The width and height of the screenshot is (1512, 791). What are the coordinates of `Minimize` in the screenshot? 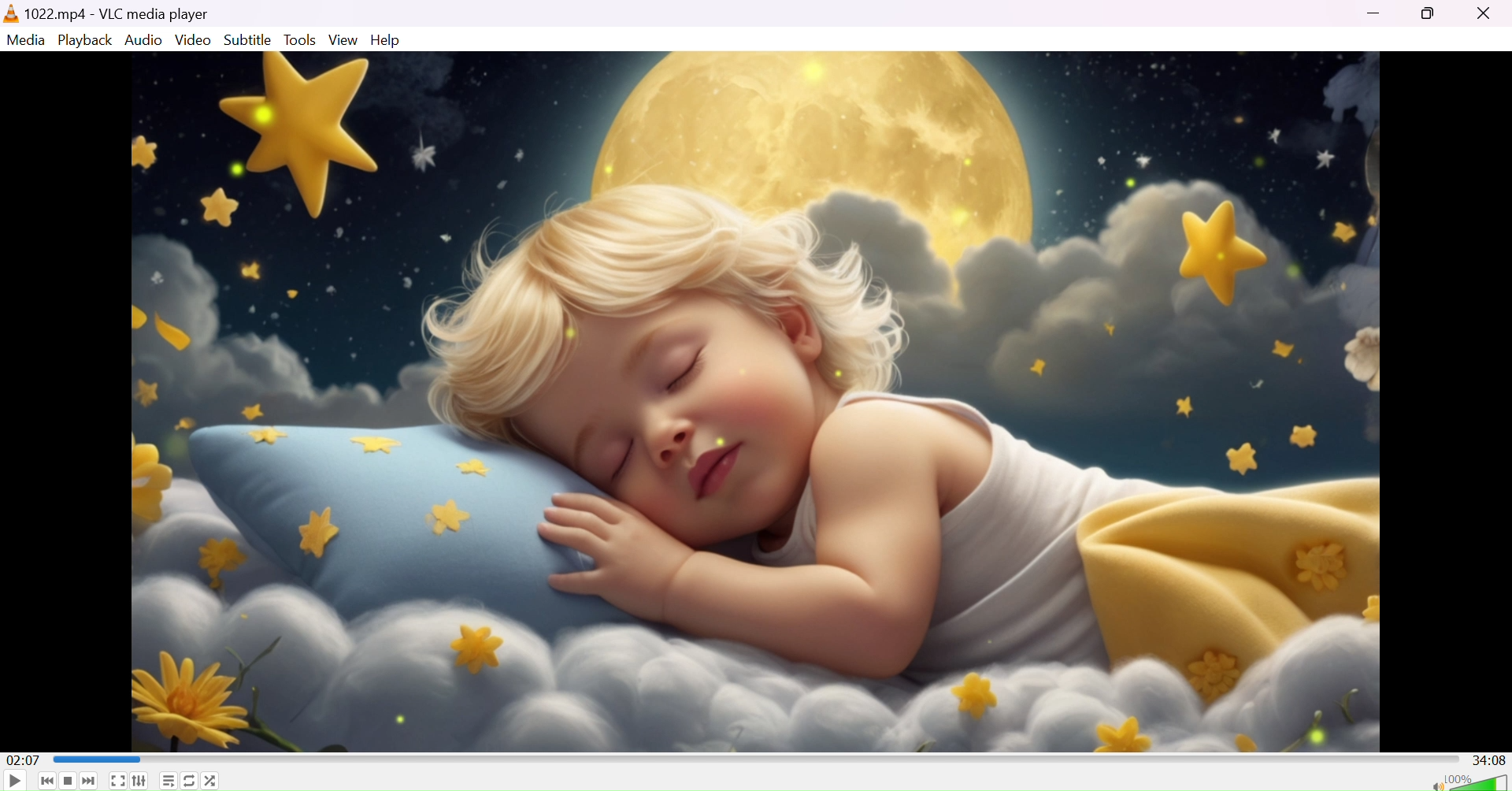 It's located at (1374, 11).